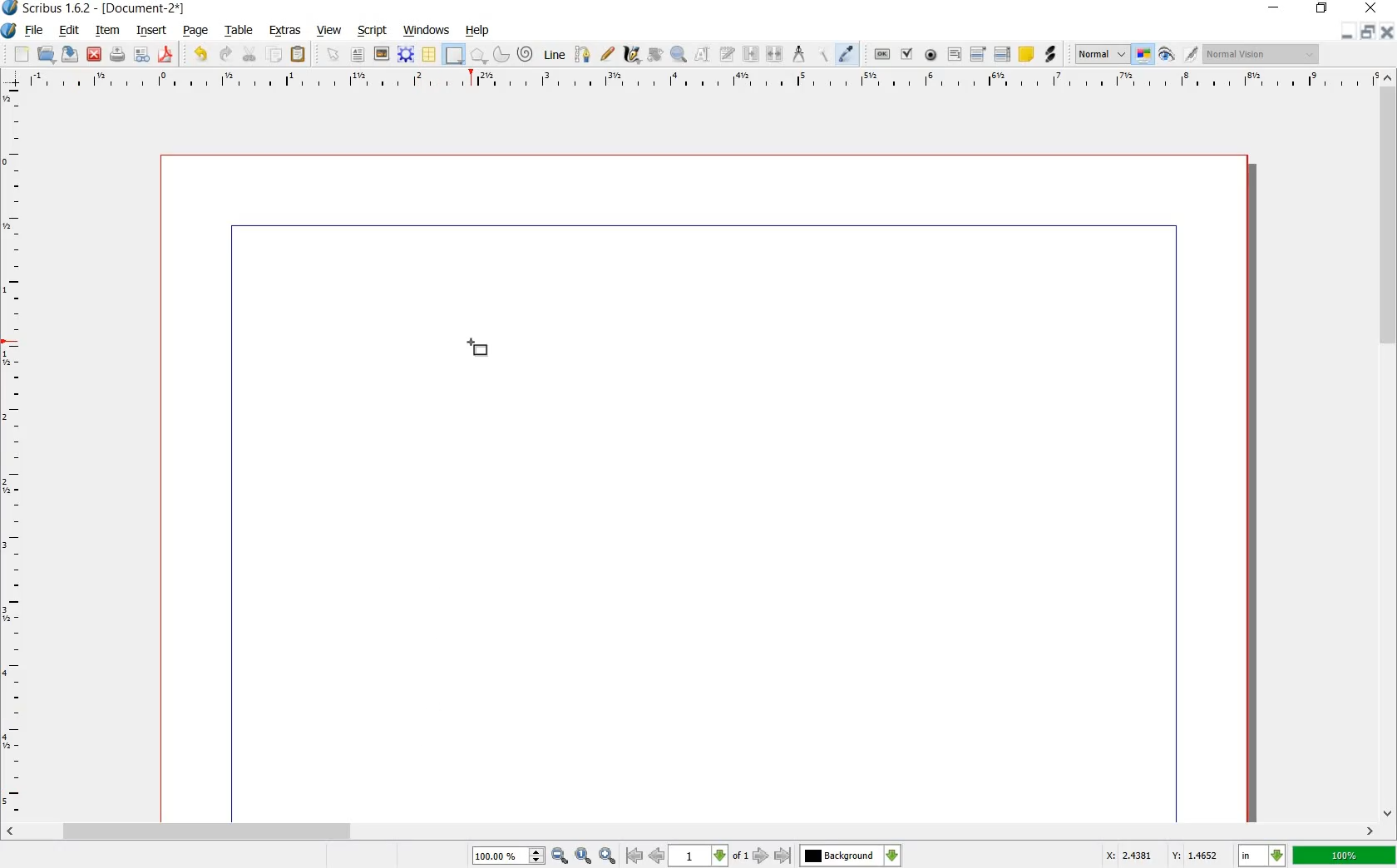  I want to click on VIEW, so click(328, 32).